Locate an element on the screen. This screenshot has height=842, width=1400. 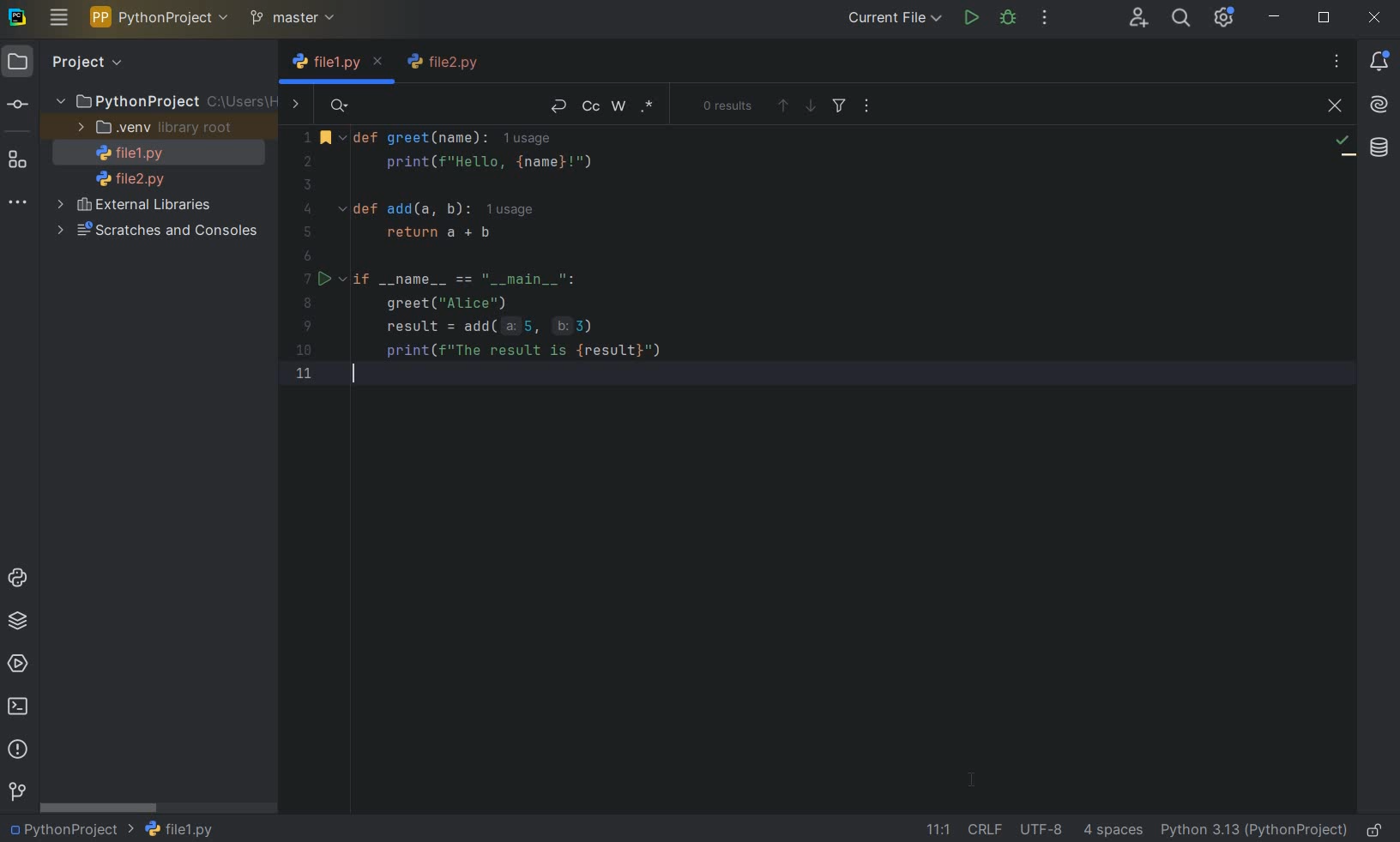
CURRENT INTERPRETER is located at coordinates (1253, 831).